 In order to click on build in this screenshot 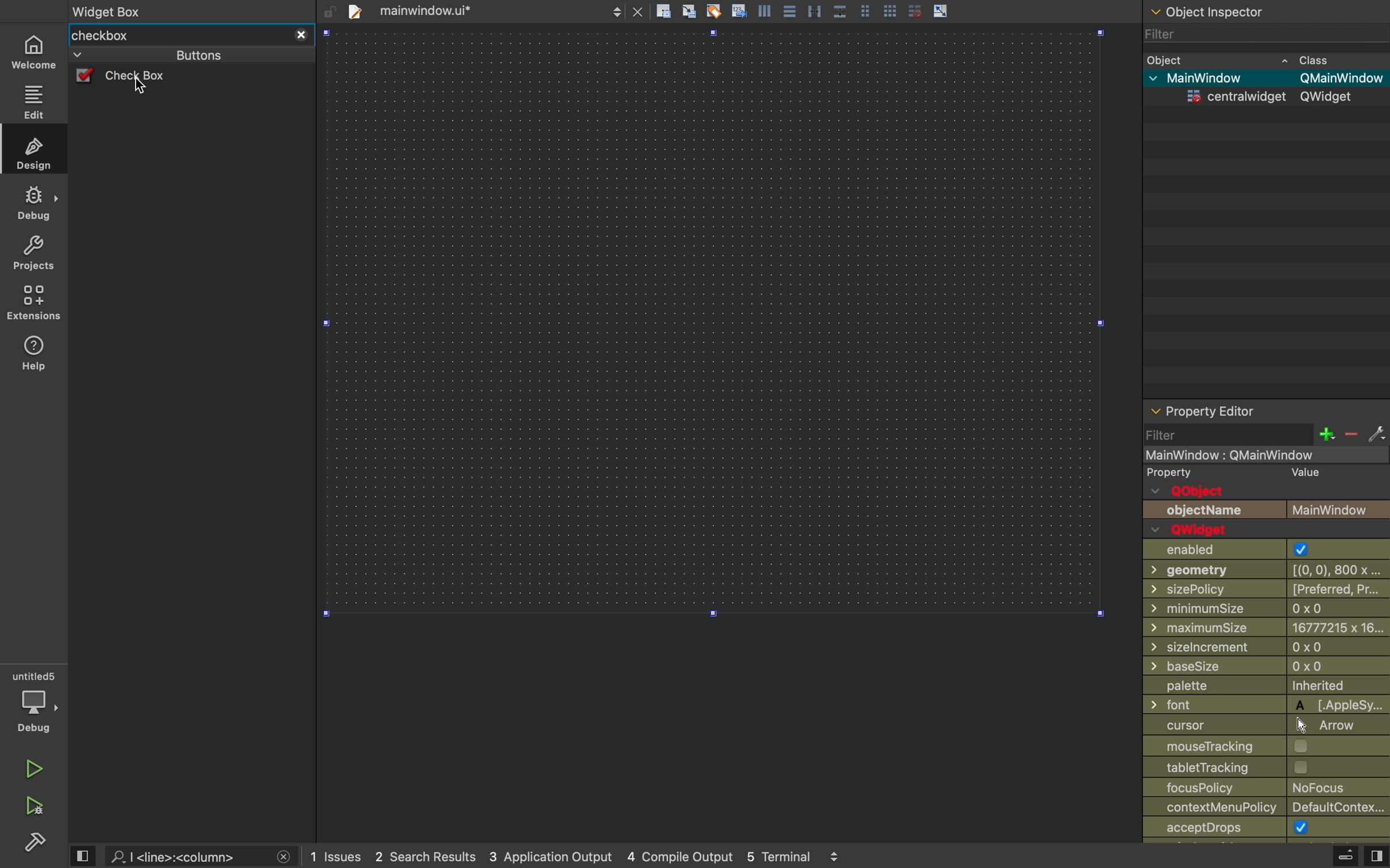, I will do `click(36, 845)`.